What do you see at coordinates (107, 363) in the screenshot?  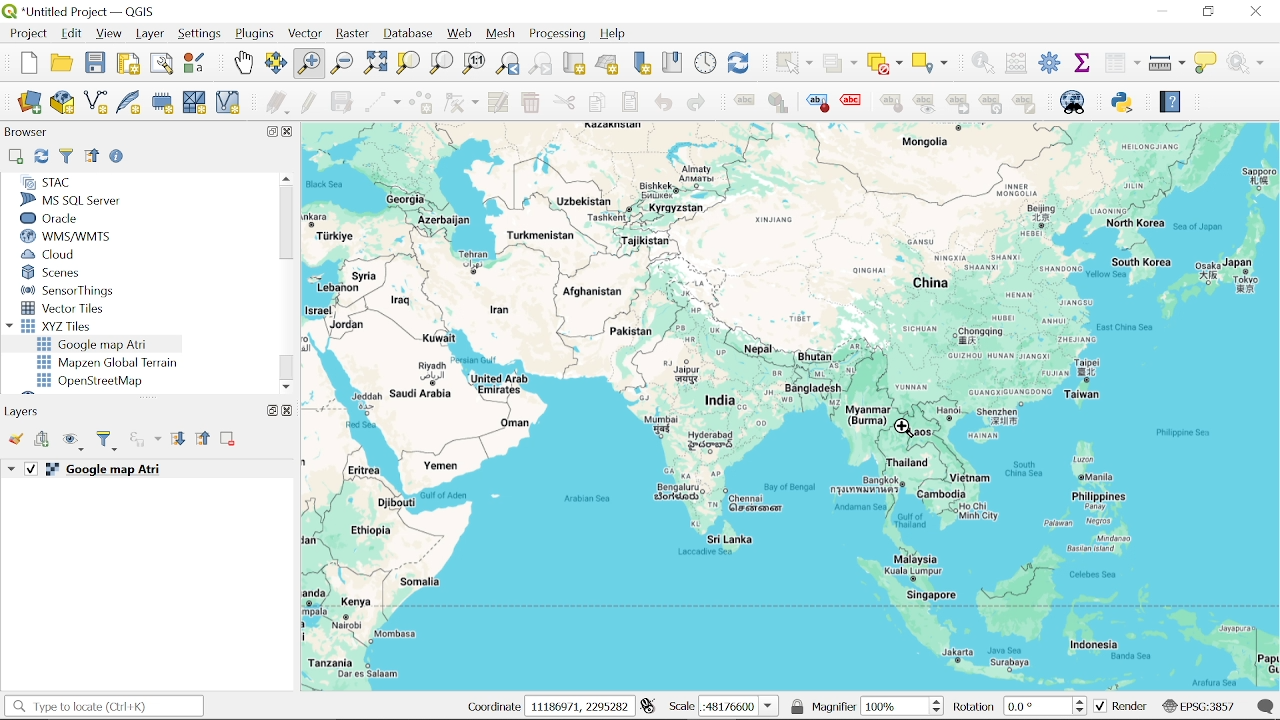 I see `Mapzen Global Terrain` at bounding box center [107, 363].